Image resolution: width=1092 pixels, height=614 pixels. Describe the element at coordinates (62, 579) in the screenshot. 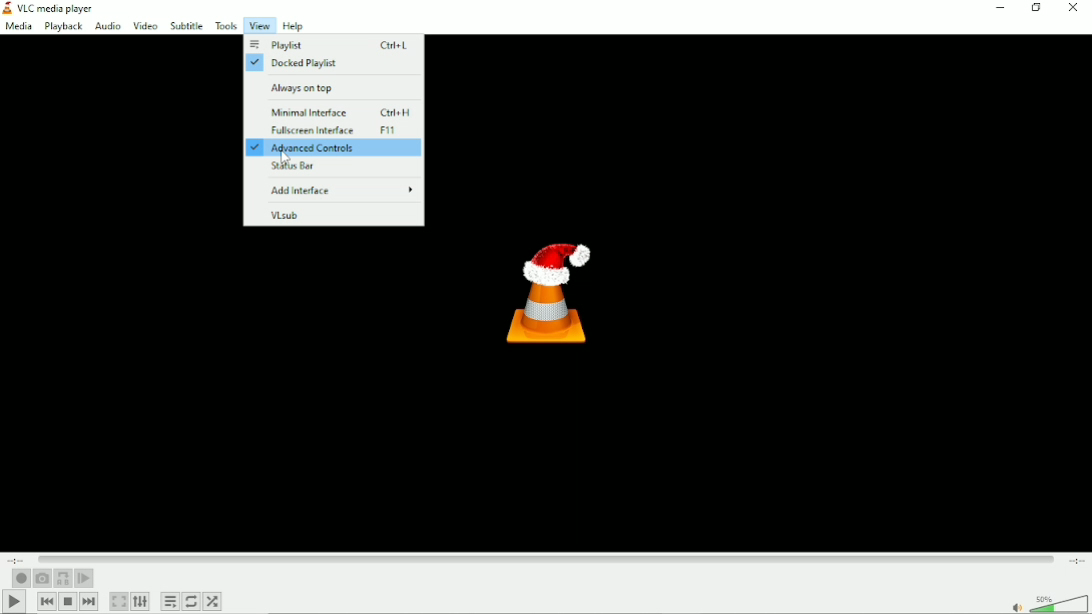

I see `Loop from point A to B continuously` at that location.